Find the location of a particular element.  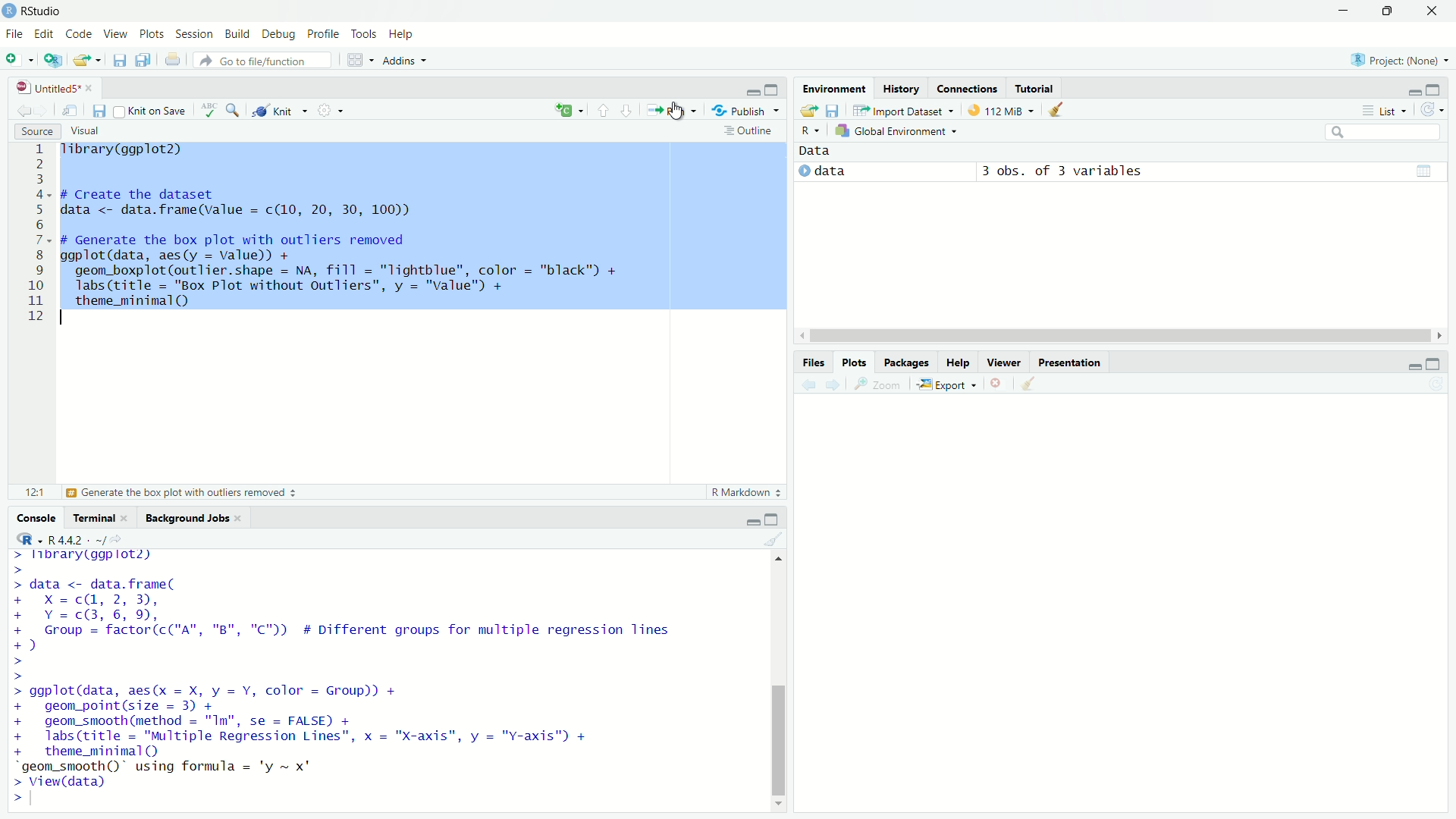

Help is located at coordinates (955, 362).